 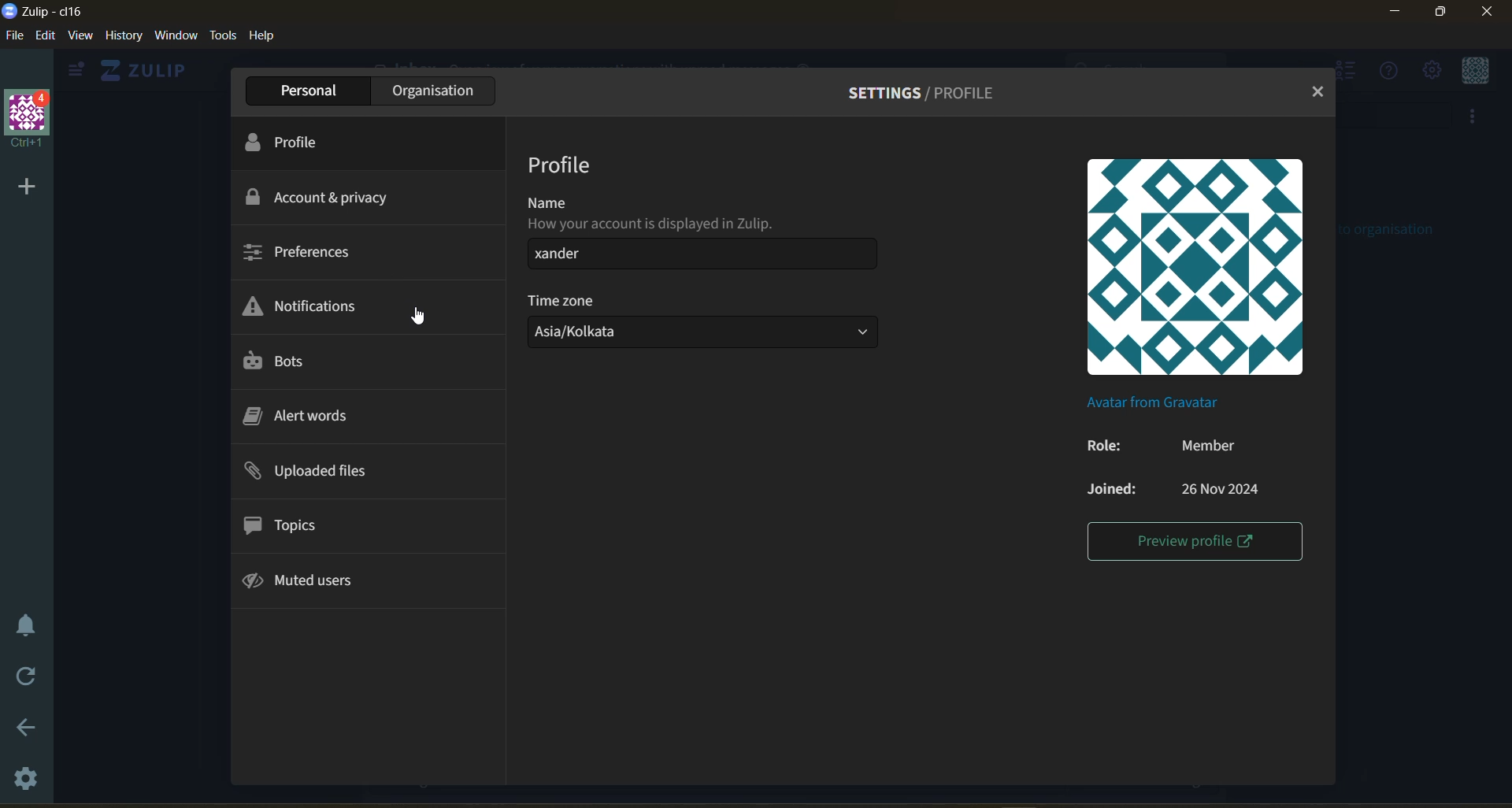 I want to click on main menu, so click(x=1431, y=70).